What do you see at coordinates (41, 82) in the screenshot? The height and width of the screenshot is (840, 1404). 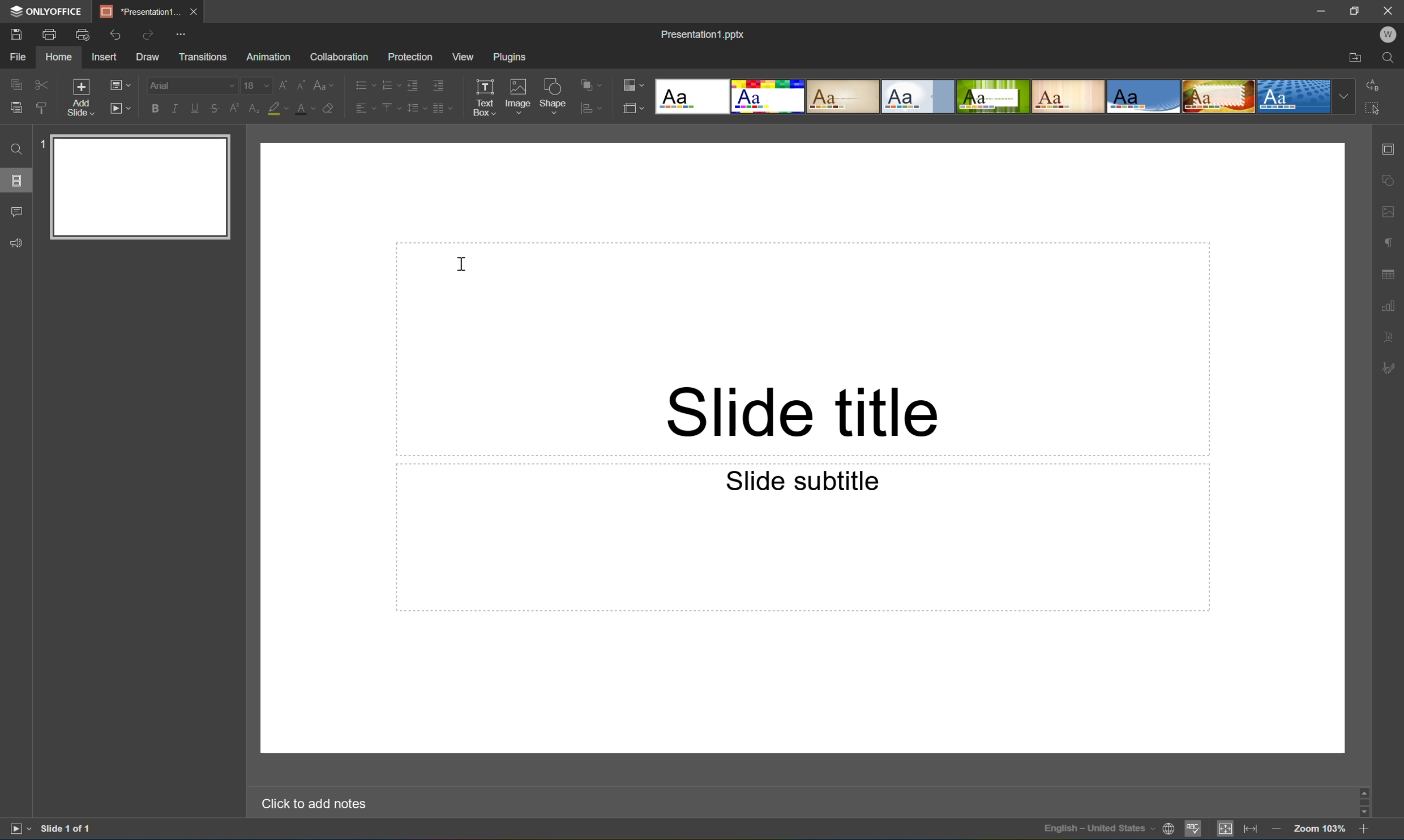 I see `Cut` at bounding box center [41, 82].